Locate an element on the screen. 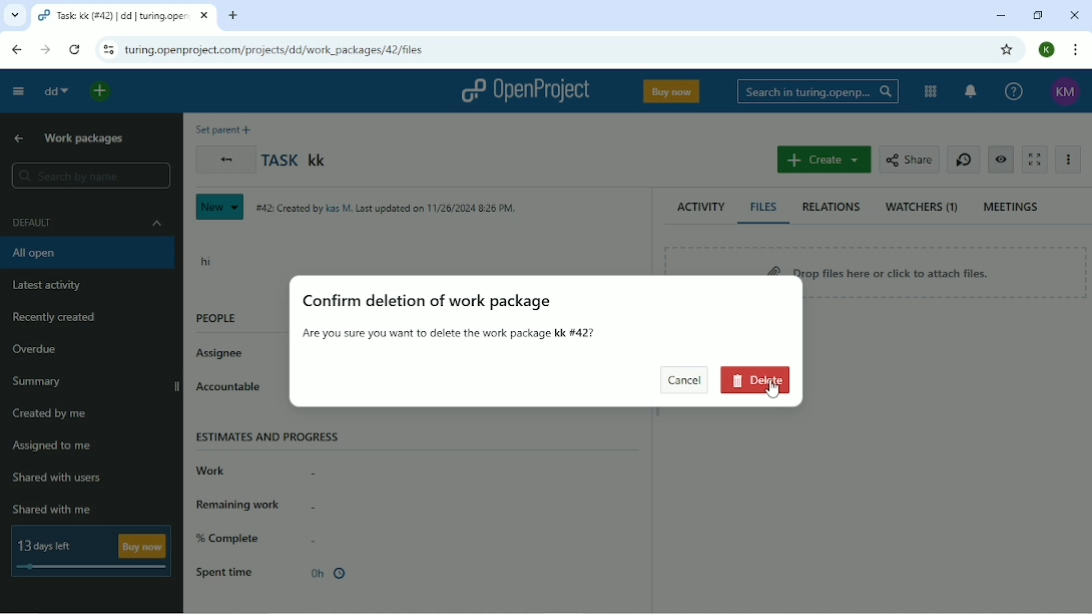  Task kk is located at coordinates (296, 160).